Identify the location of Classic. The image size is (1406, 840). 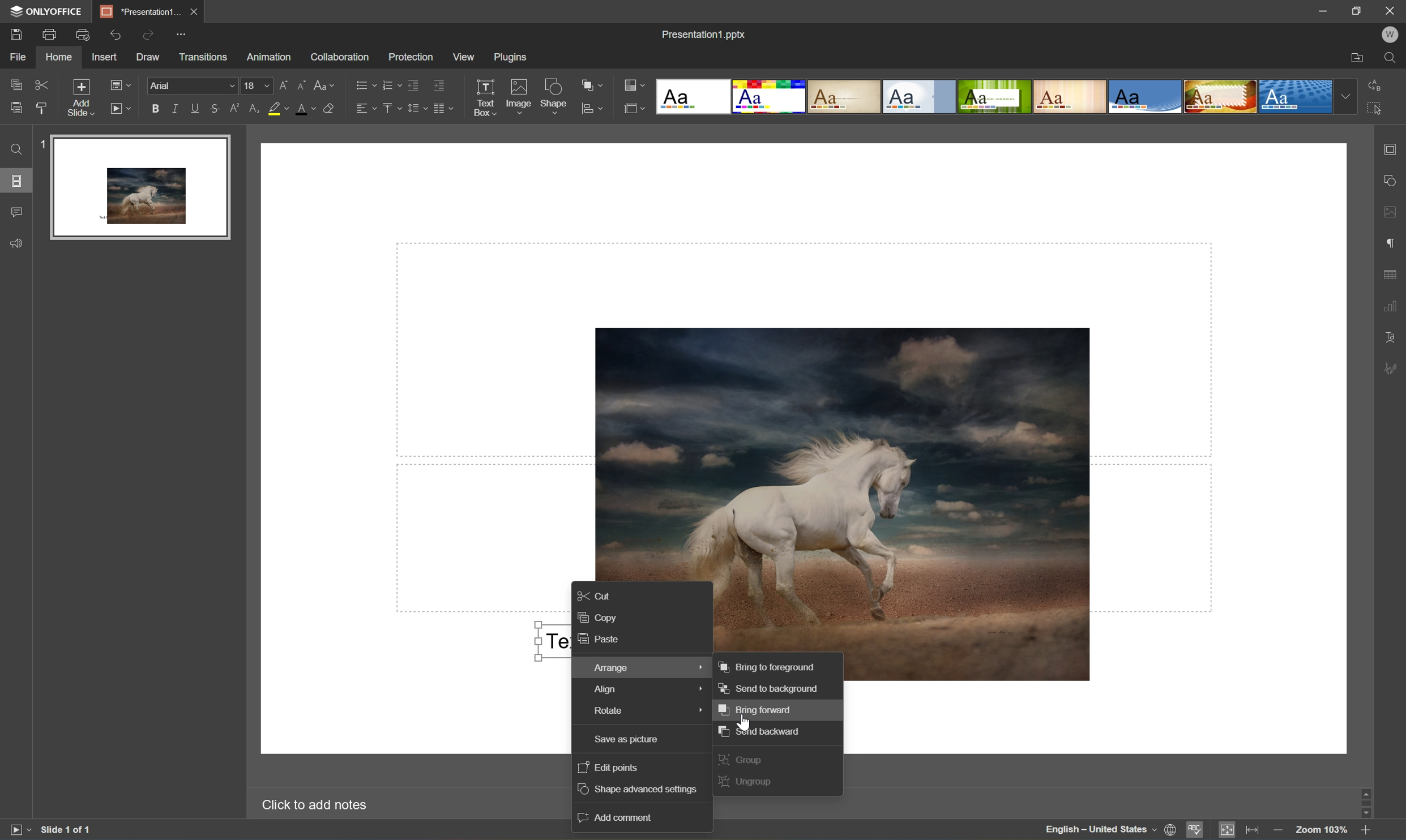
(845, 97).